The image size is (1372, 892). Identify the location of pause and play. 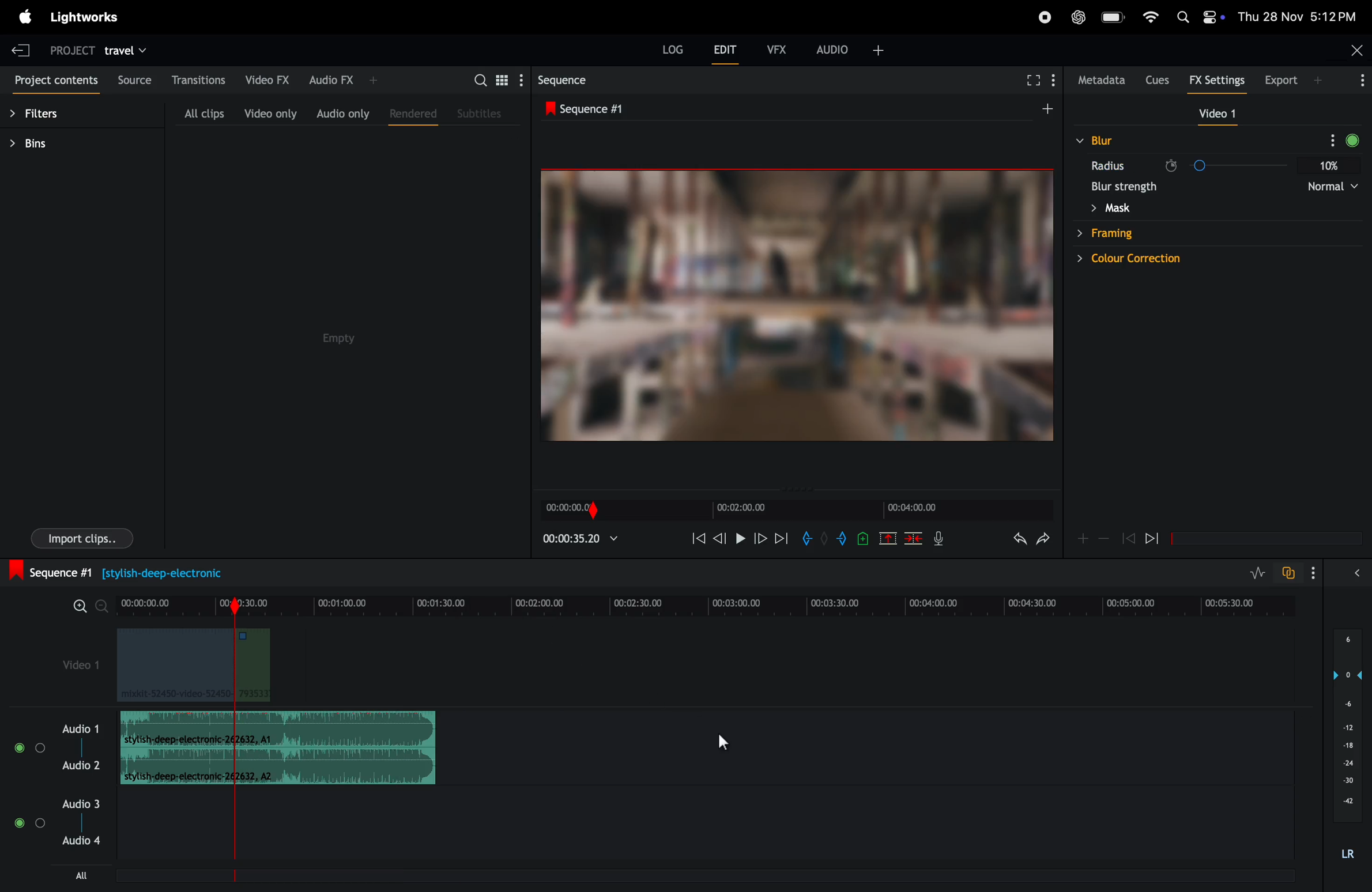
(740, 537).